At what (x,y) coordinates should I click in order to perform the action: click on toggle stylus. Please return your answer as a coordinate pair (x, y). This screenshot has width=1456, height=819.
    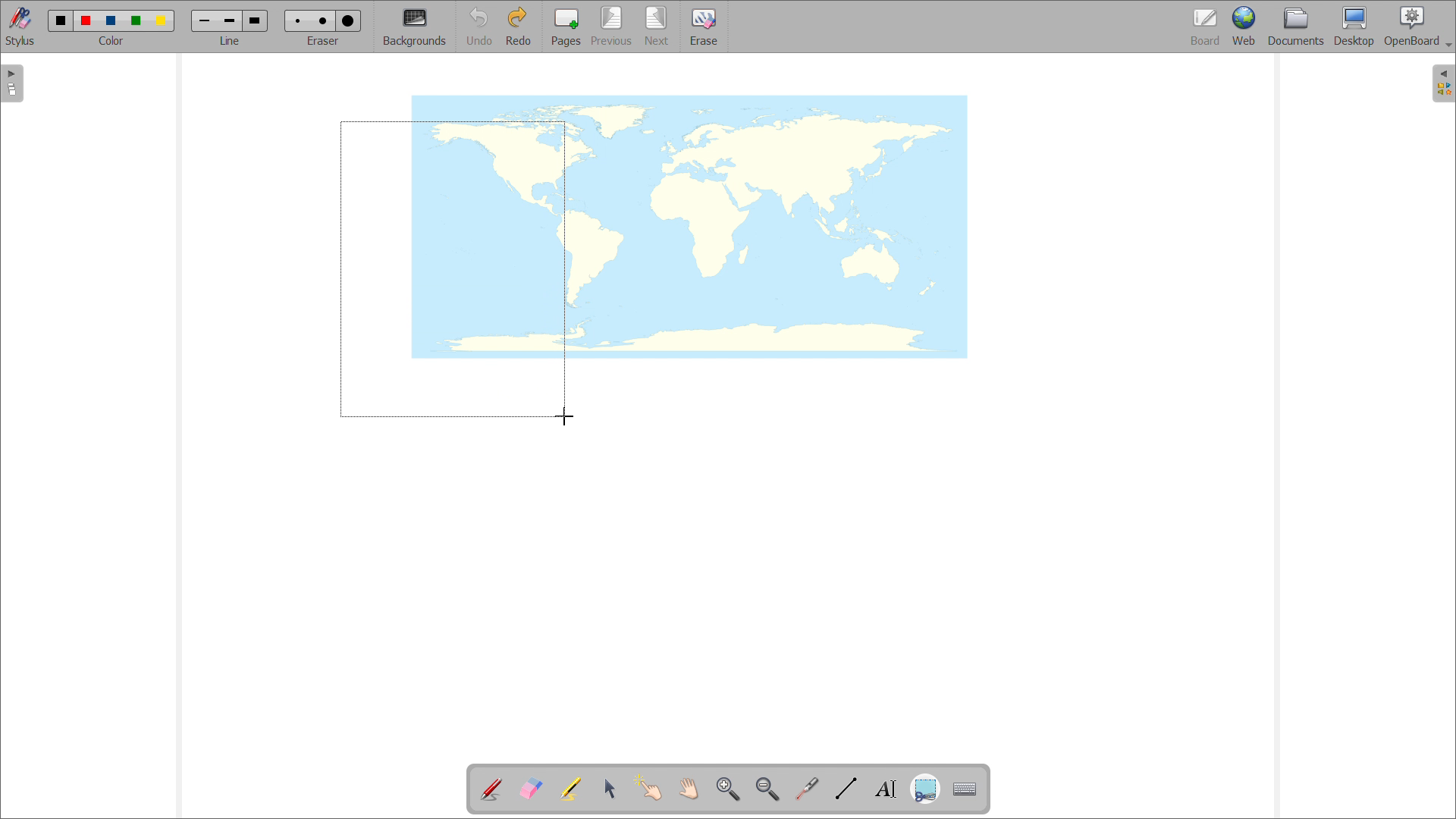
    Looking at the image, I should click on (22, 27).